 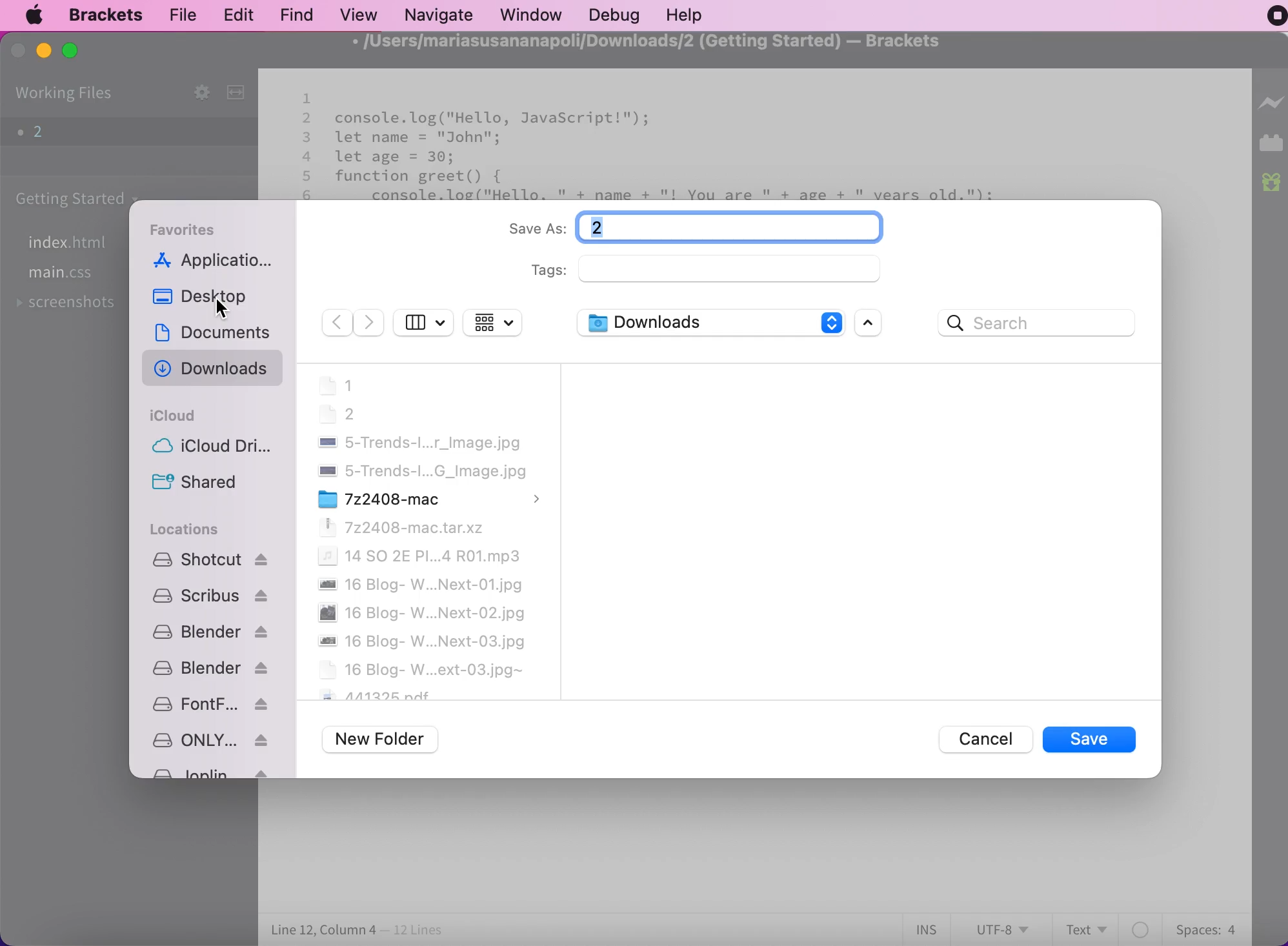 I want to click on change the item grouping, so click(x=498, y=324).